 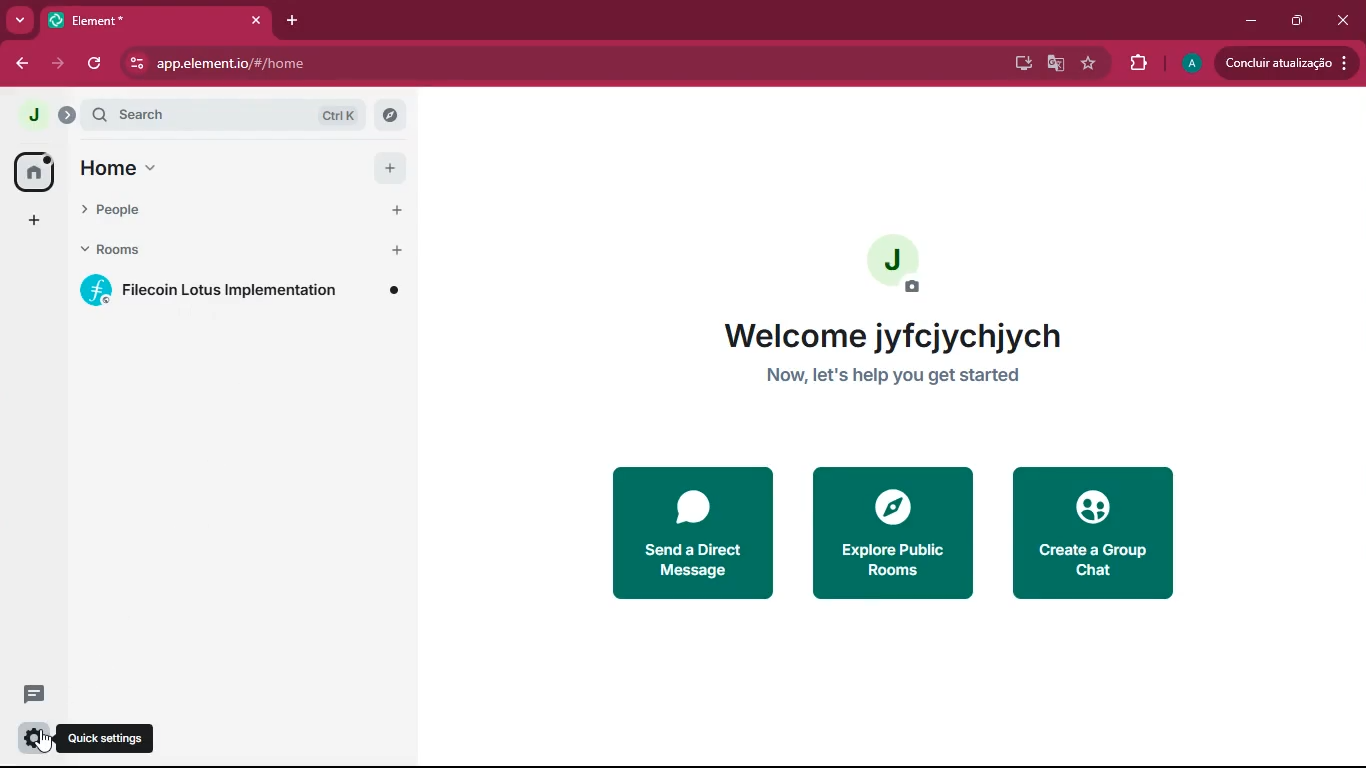 I want to click on back, so click(x=21, y=63).